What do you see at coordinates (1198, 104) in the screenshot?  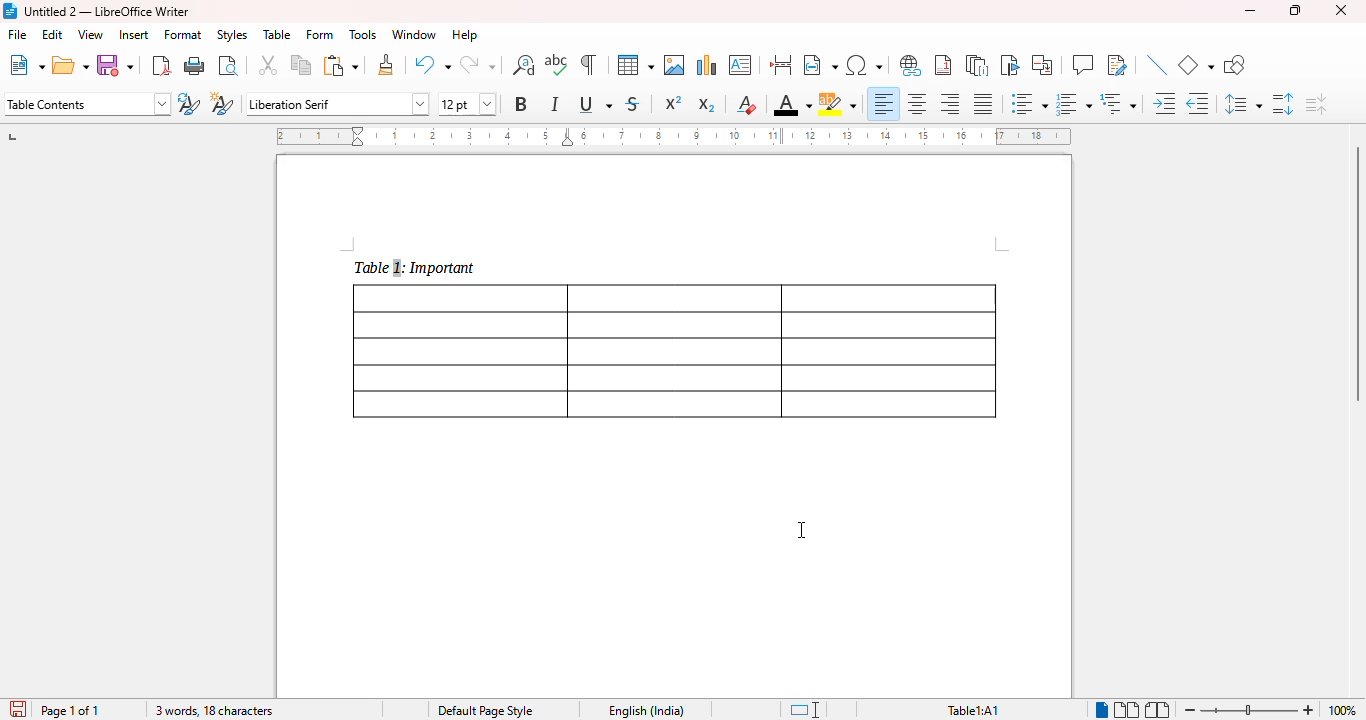 I see `decrease indent` at bounding box center [1198, 104].